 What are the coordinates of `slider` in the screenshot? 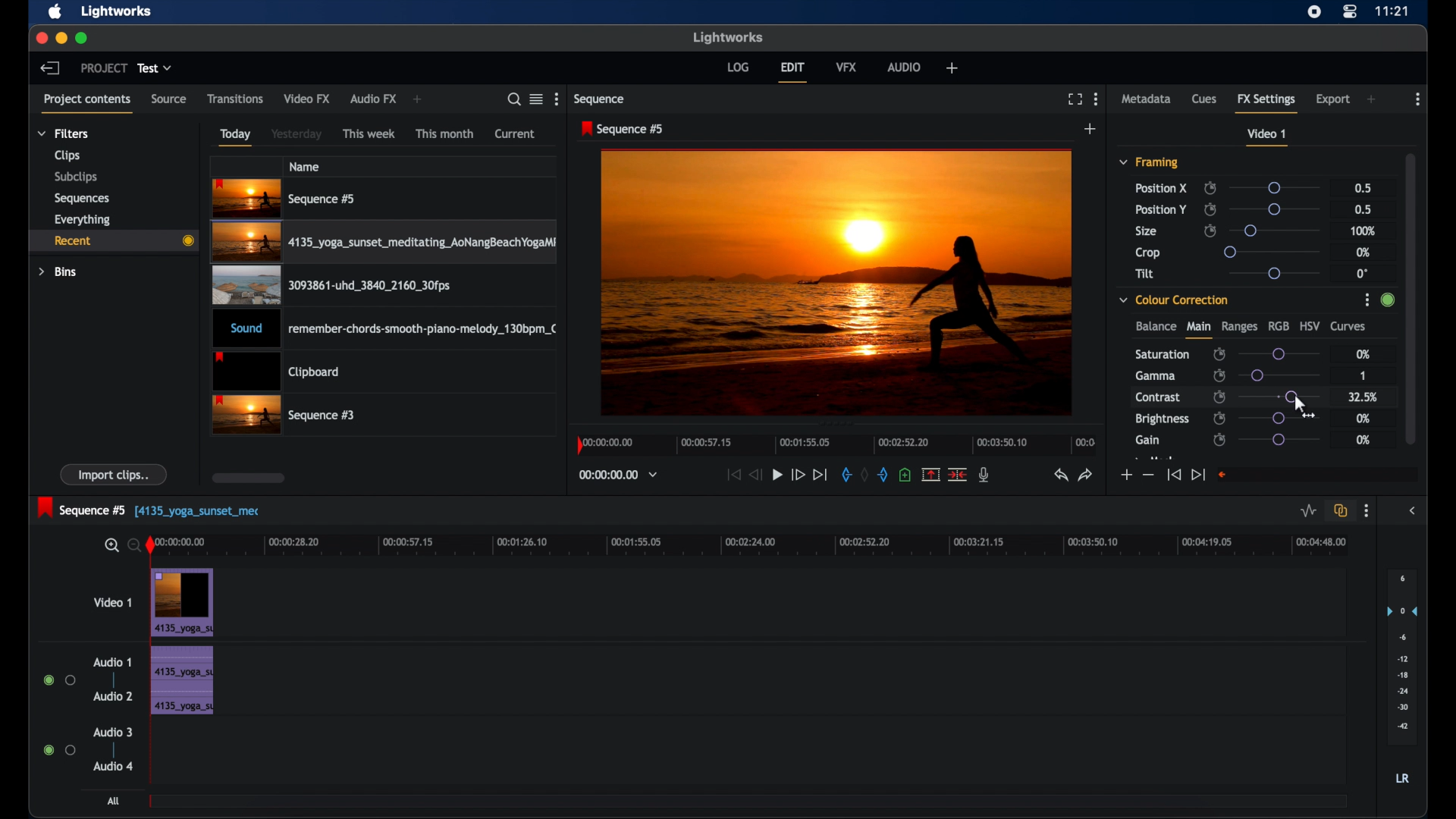 It's located at (1269, 252).